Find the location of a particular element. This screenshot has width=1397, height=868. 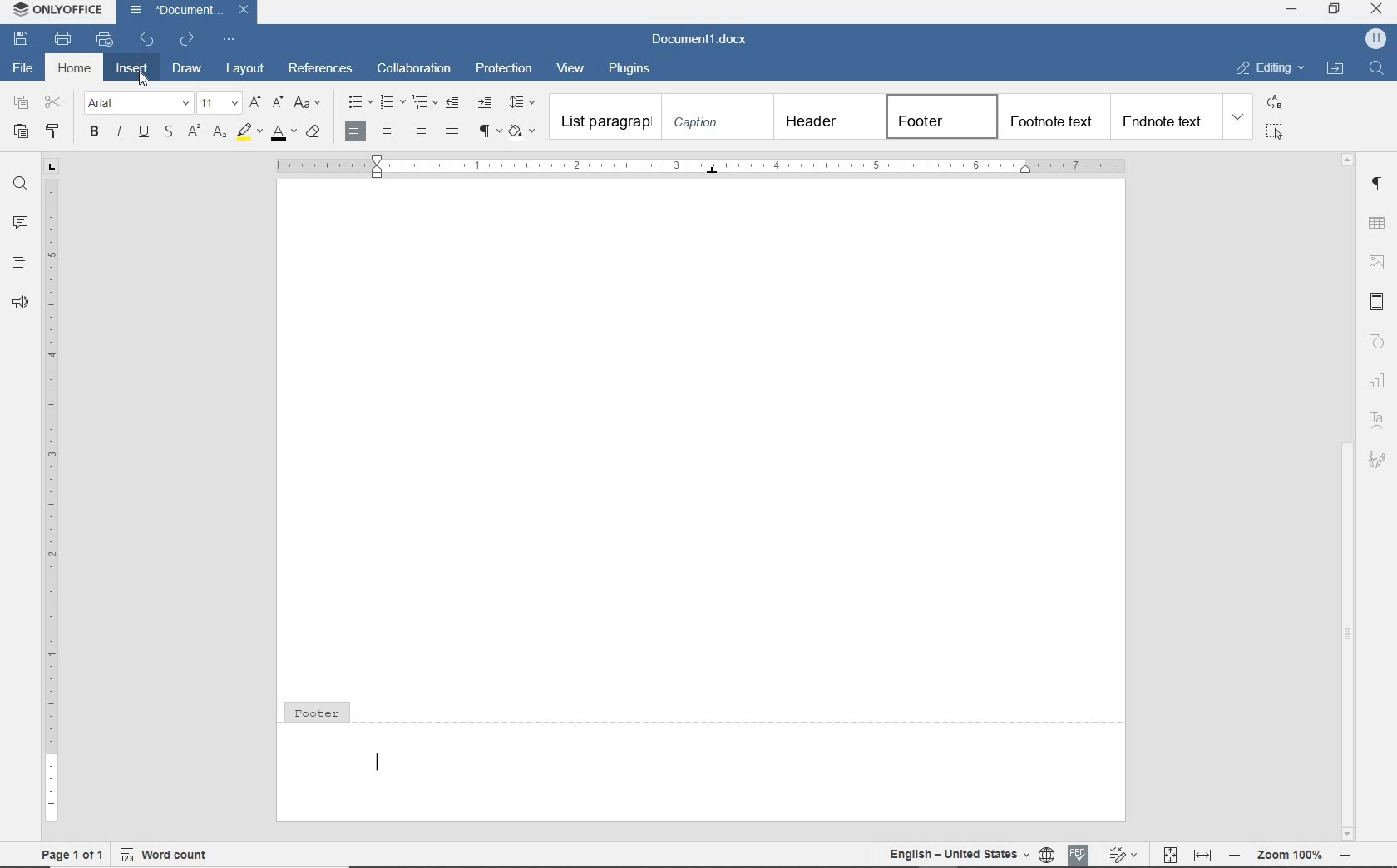

track changes is located at coordinates (1121, 856).